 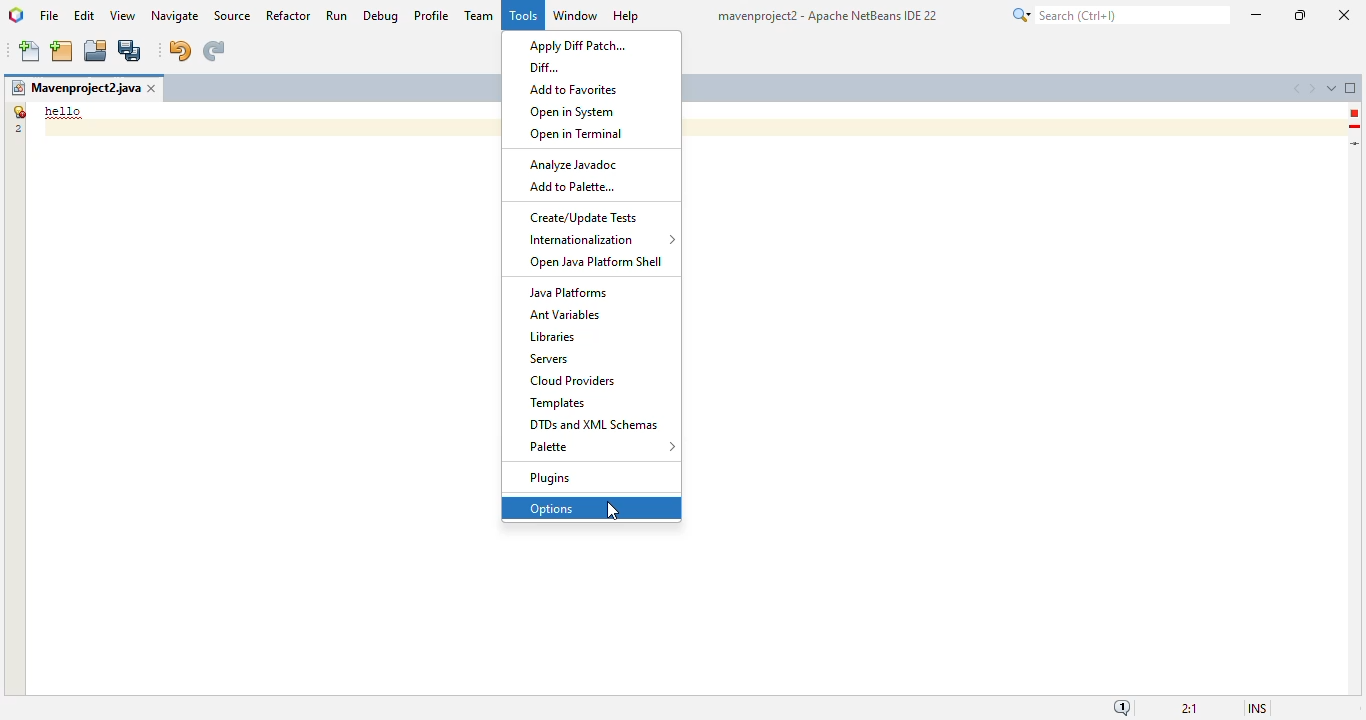 I want to click on analyze javadoc, so click(x=575, y=165).